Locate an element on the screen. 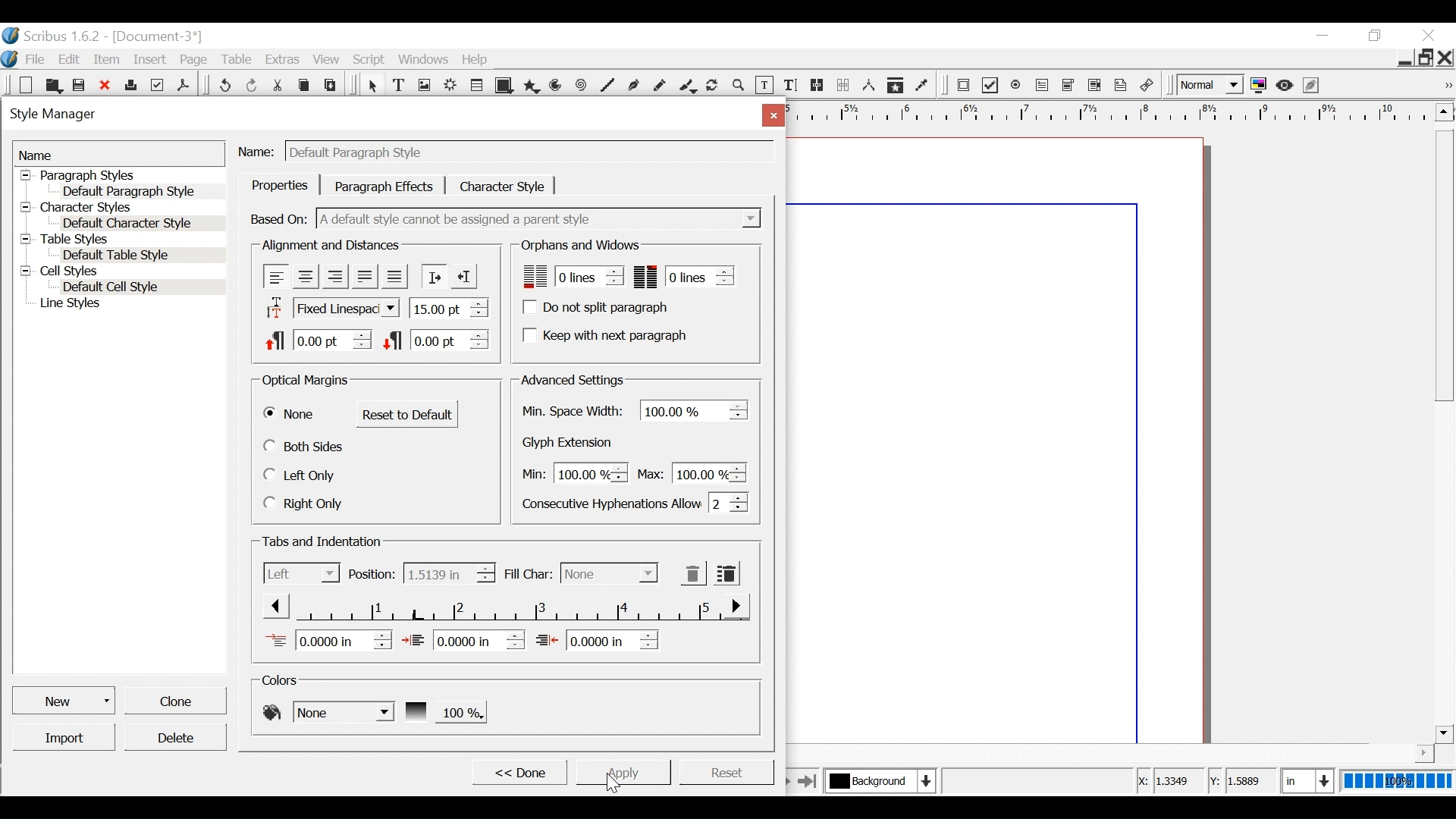  Space below is located at coordinates (435, 339).